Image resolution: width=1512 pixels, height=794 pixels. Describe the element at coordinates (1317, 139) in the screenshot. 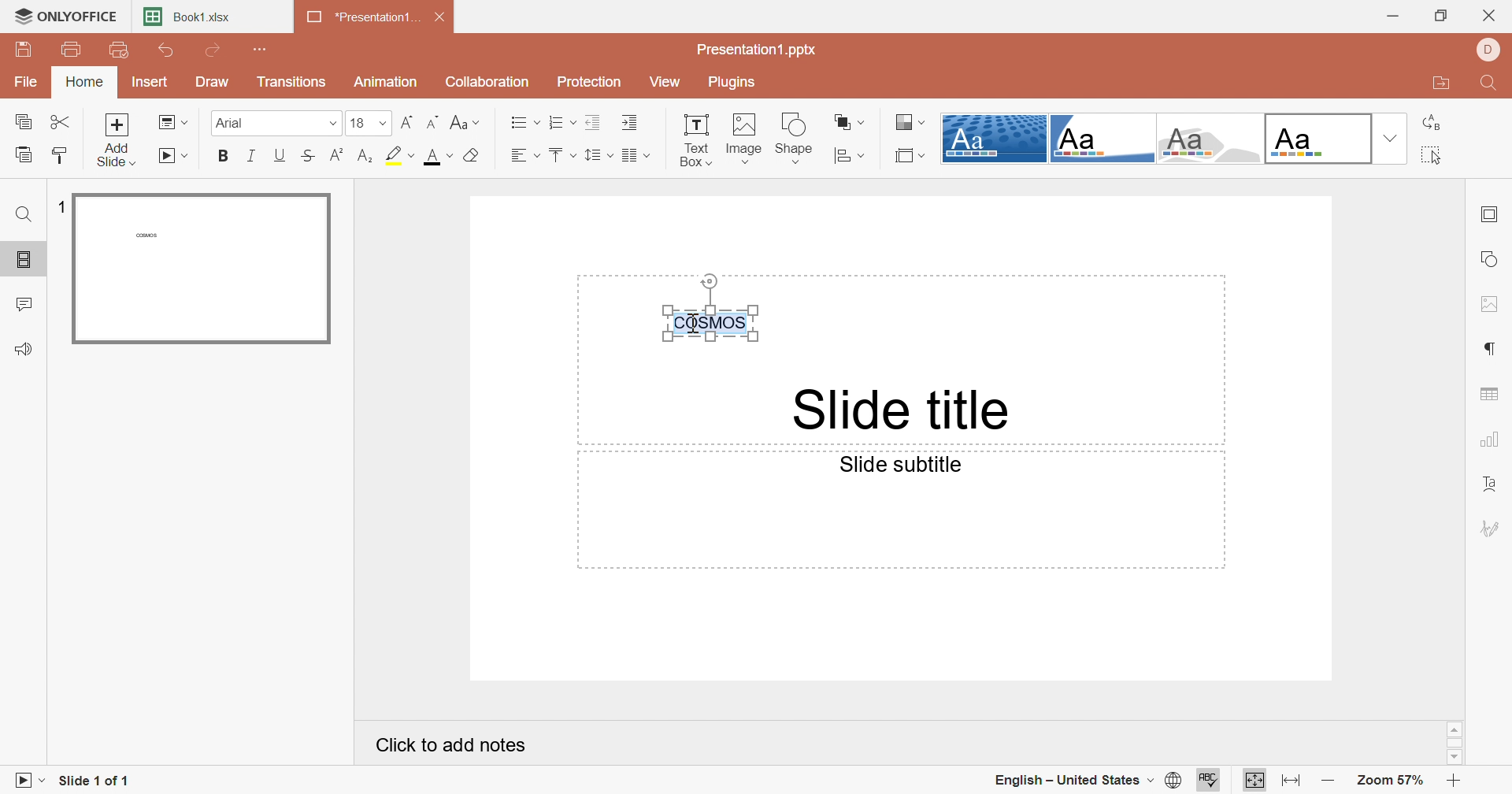

I see `Office theme` at that location.